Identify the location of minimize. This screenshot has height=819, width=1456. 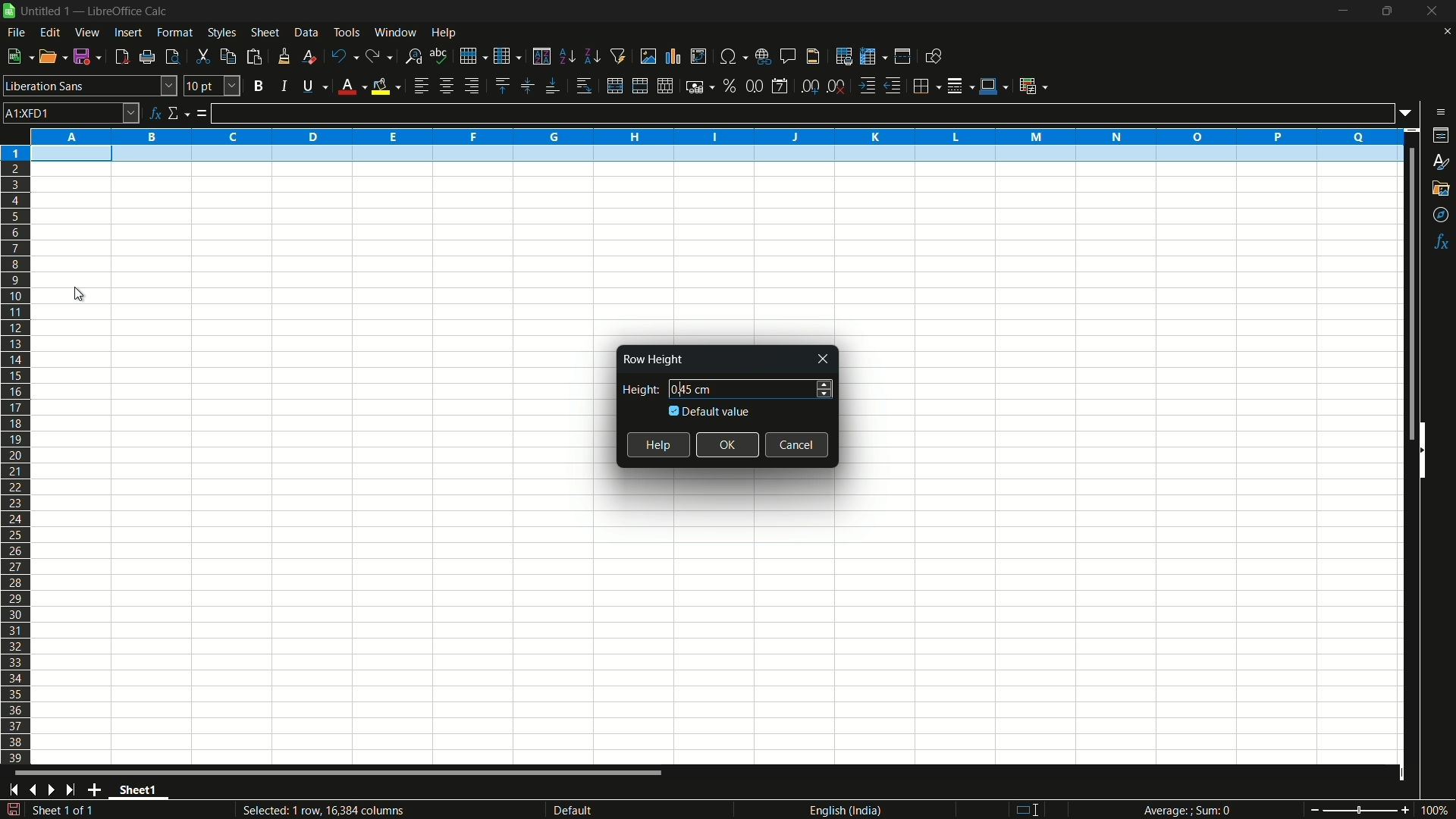
(1343, 11).